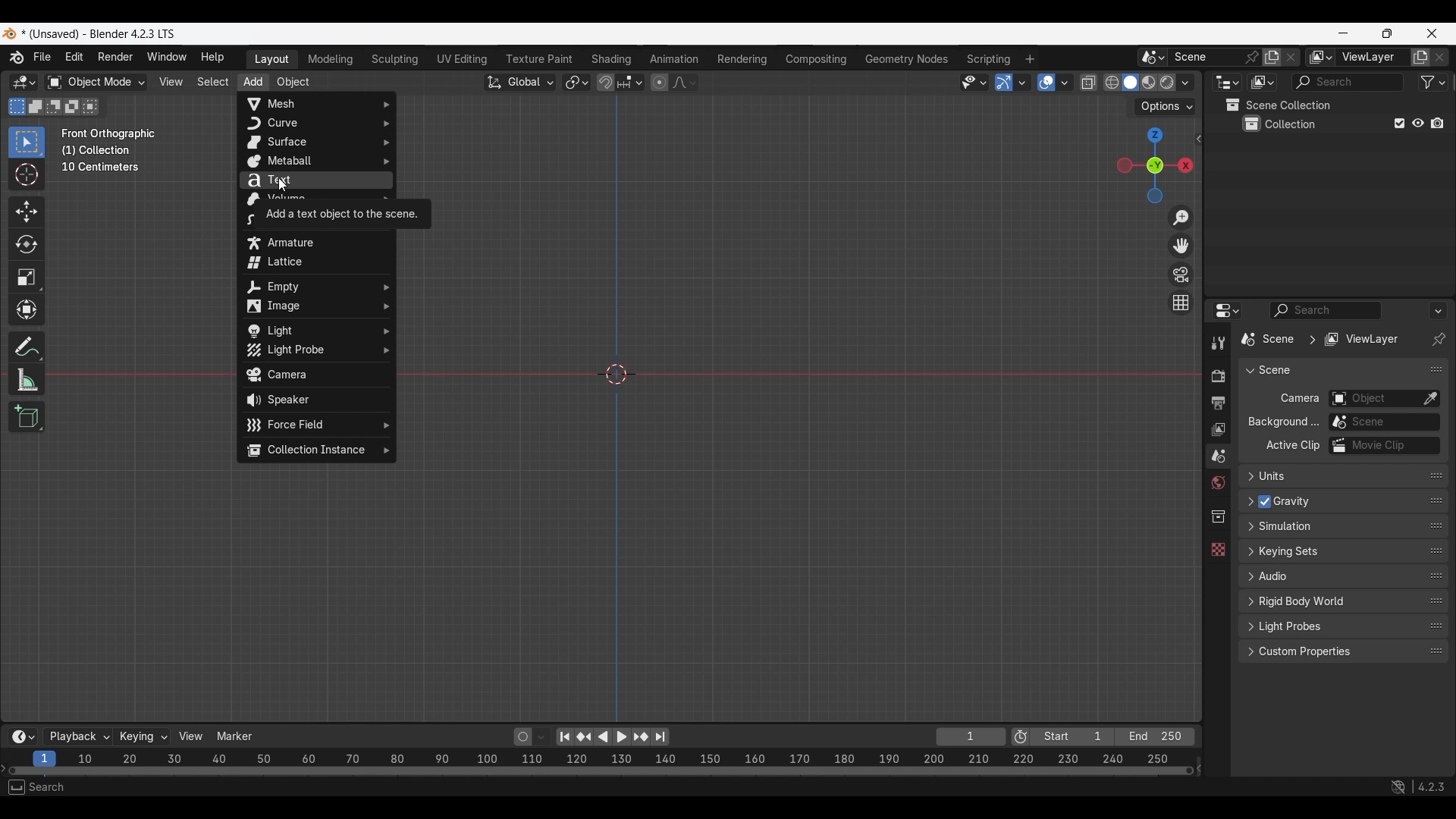  I want to click on Background scene, so click(1384, 422).